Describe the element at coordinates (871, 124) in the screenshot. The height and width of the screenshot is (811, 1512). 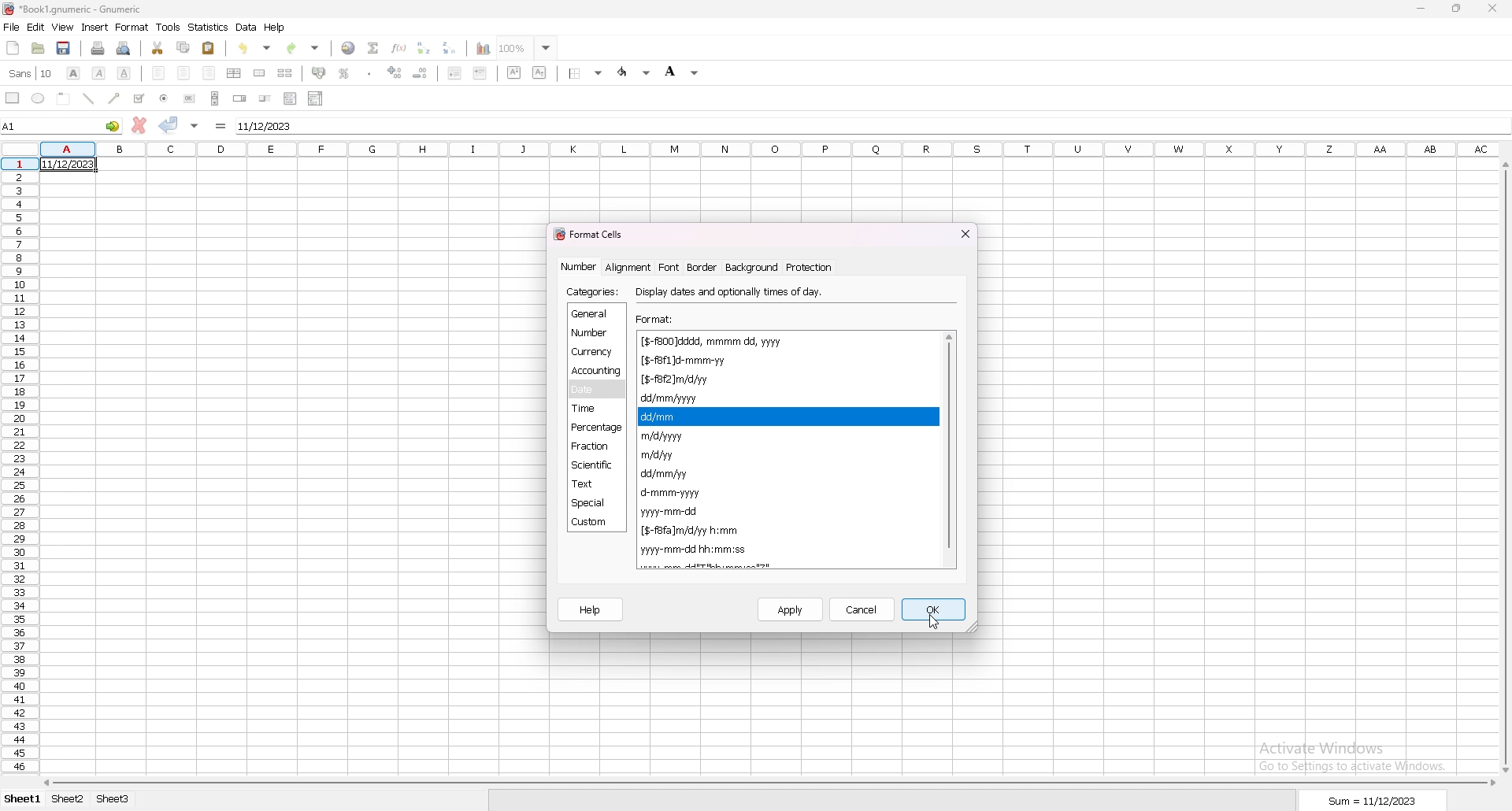
I see `selected cell input` at that location.